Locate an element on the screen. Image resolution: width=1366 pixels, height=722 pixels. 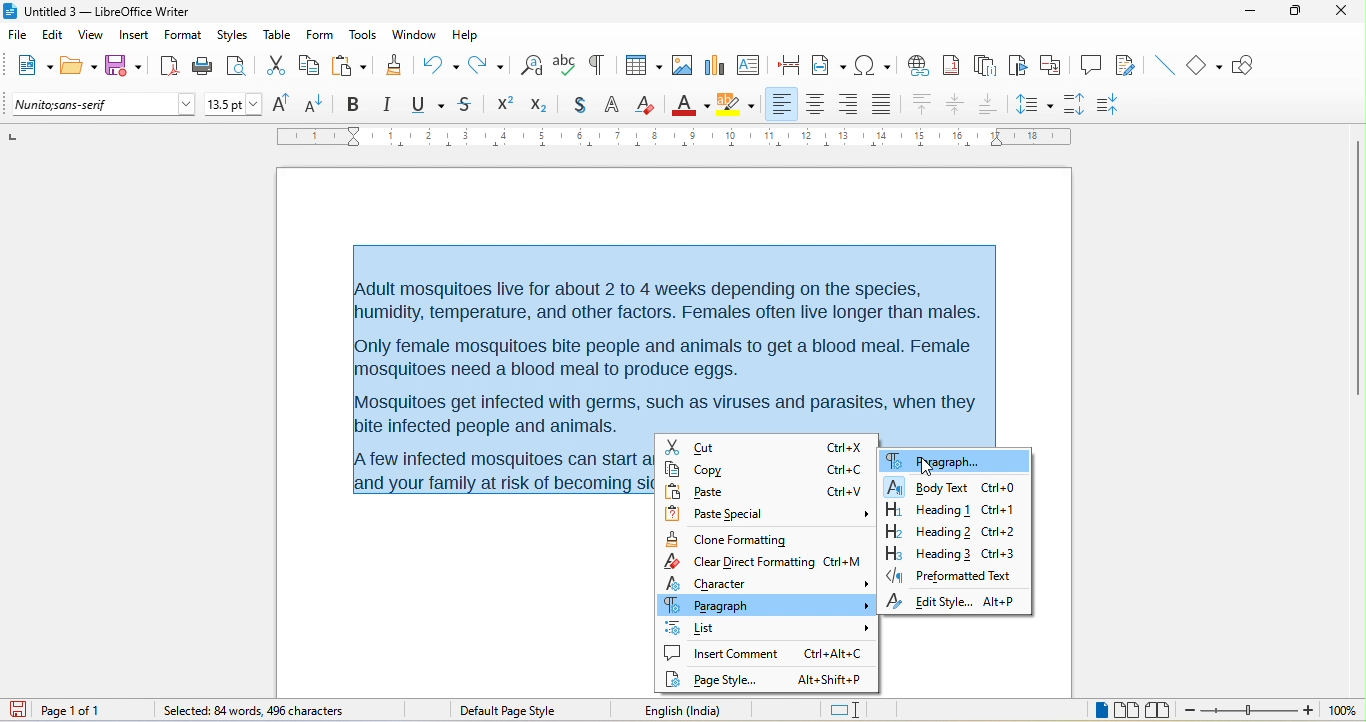
set line spacing is located at coordinates (1033, 102).